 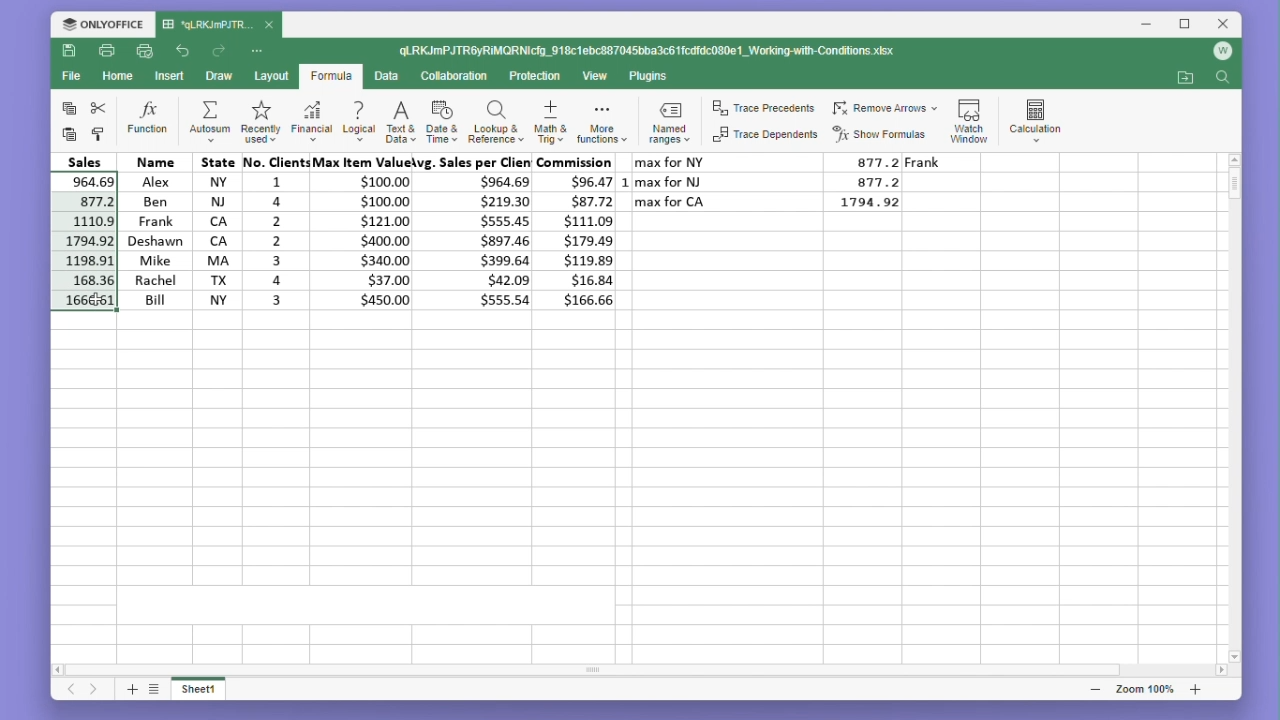 What do you see at coordinates (441, 119) in the screenshot?
I see `Date and time` at bounding box center [441, 119].